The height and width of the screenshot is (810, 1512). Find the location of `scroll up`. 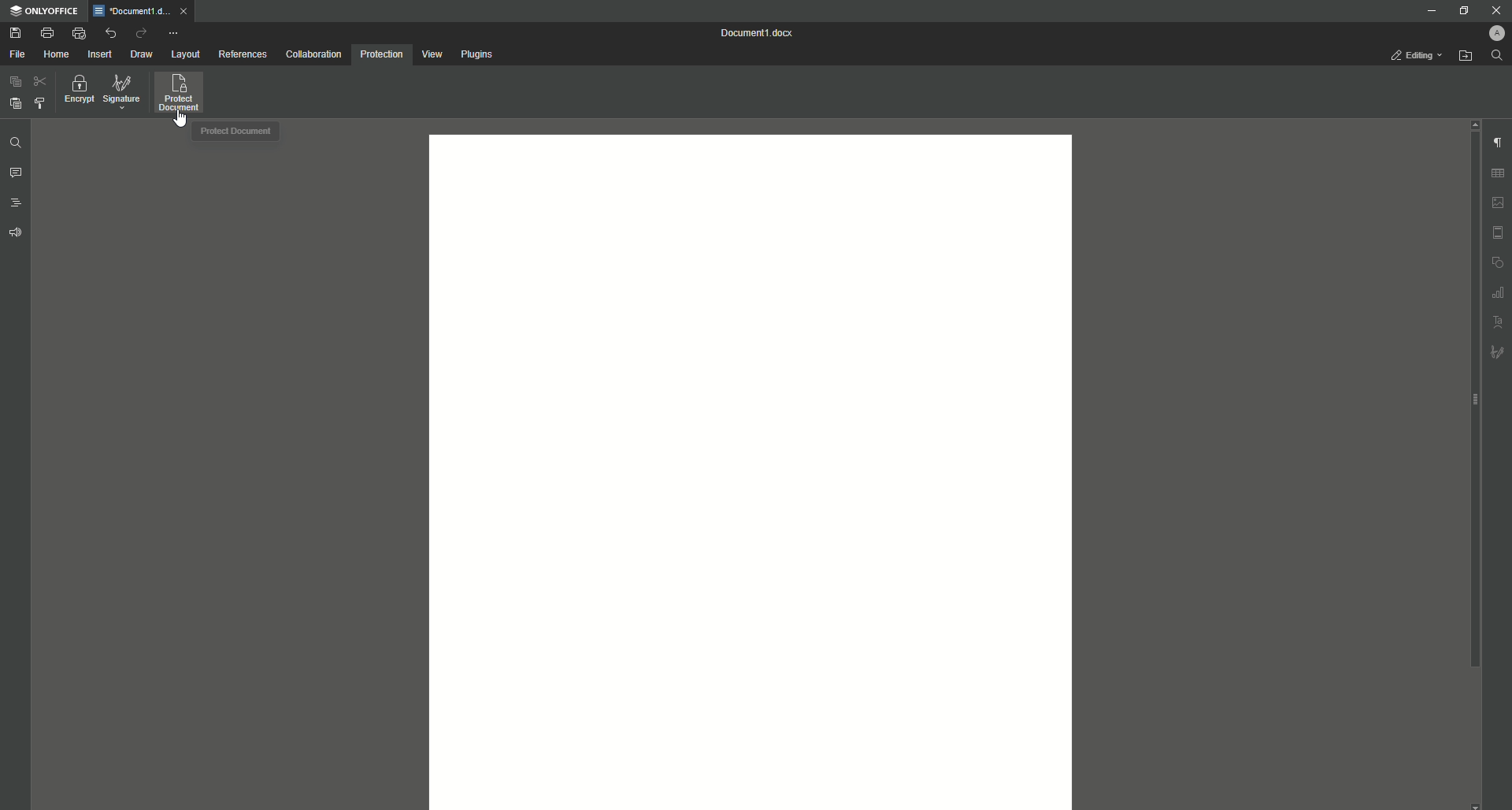

scroll up is located at coordinates (1475, 124).